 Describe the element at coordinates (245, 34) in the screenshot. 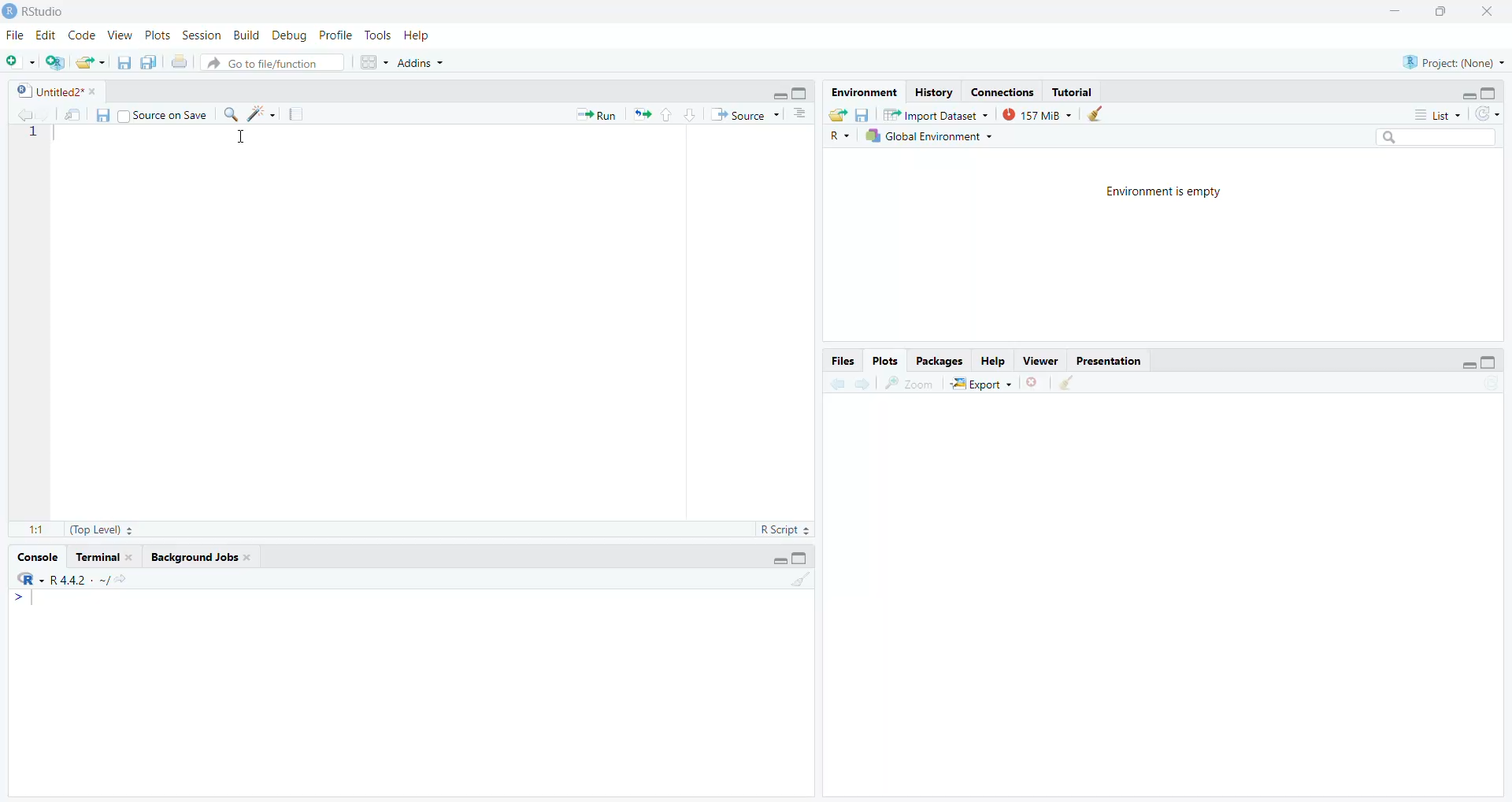

I see `Build` at that location.